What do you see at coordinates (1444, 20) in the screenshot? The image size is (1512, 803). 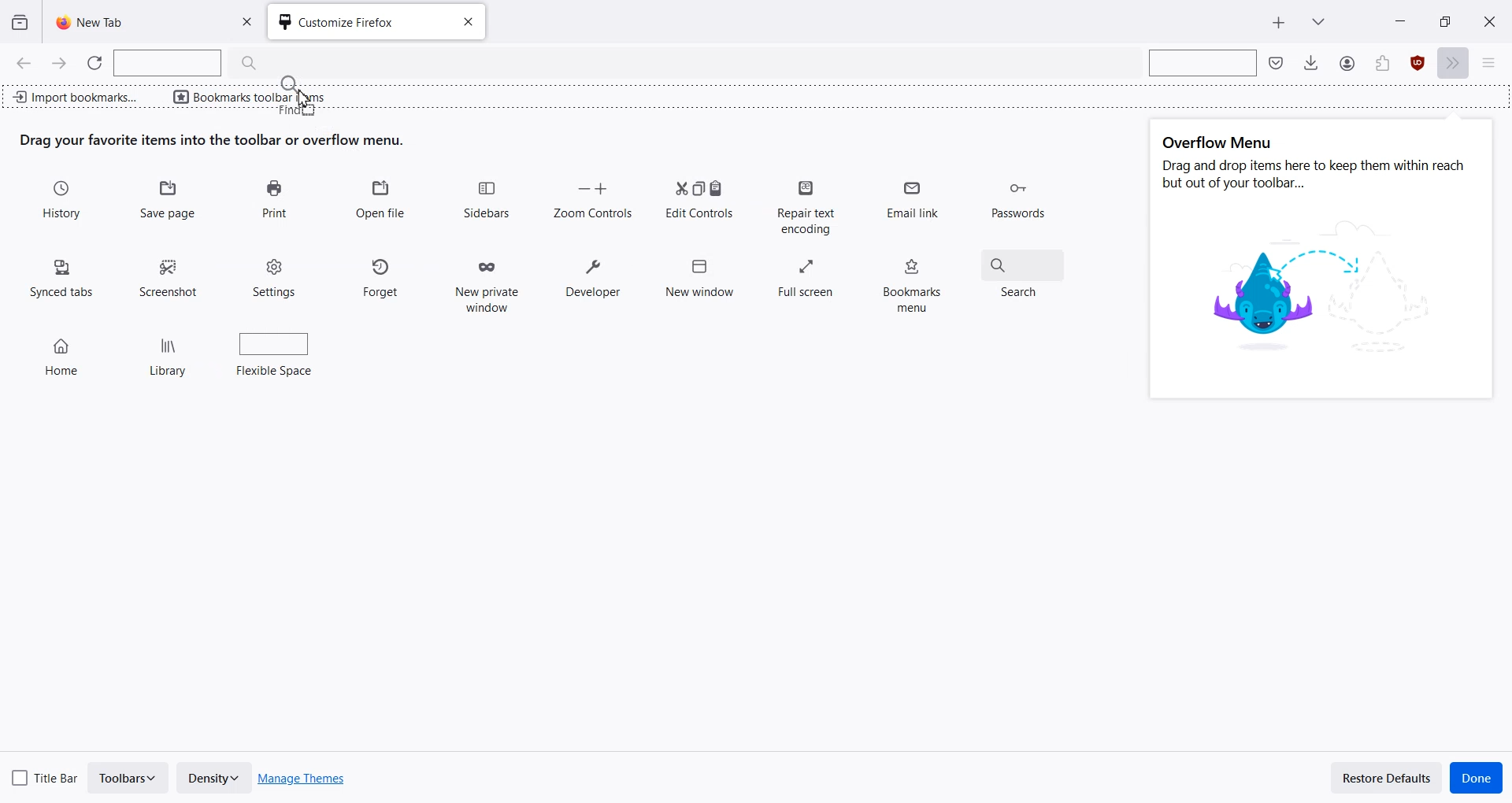 I see `Maximize` at bounding box center [1444, 20].